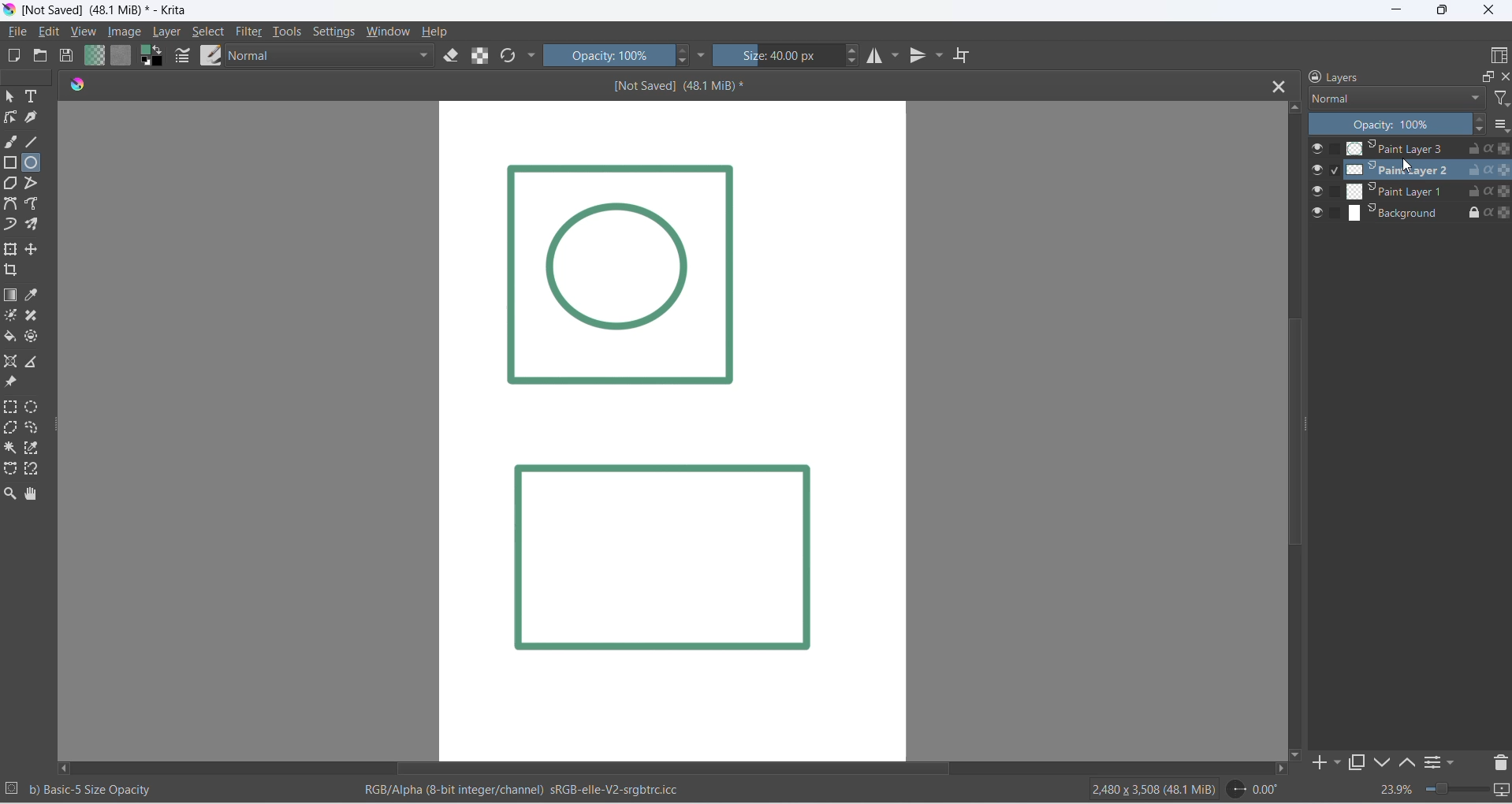  I want to click on crop image, so click(14, 272).